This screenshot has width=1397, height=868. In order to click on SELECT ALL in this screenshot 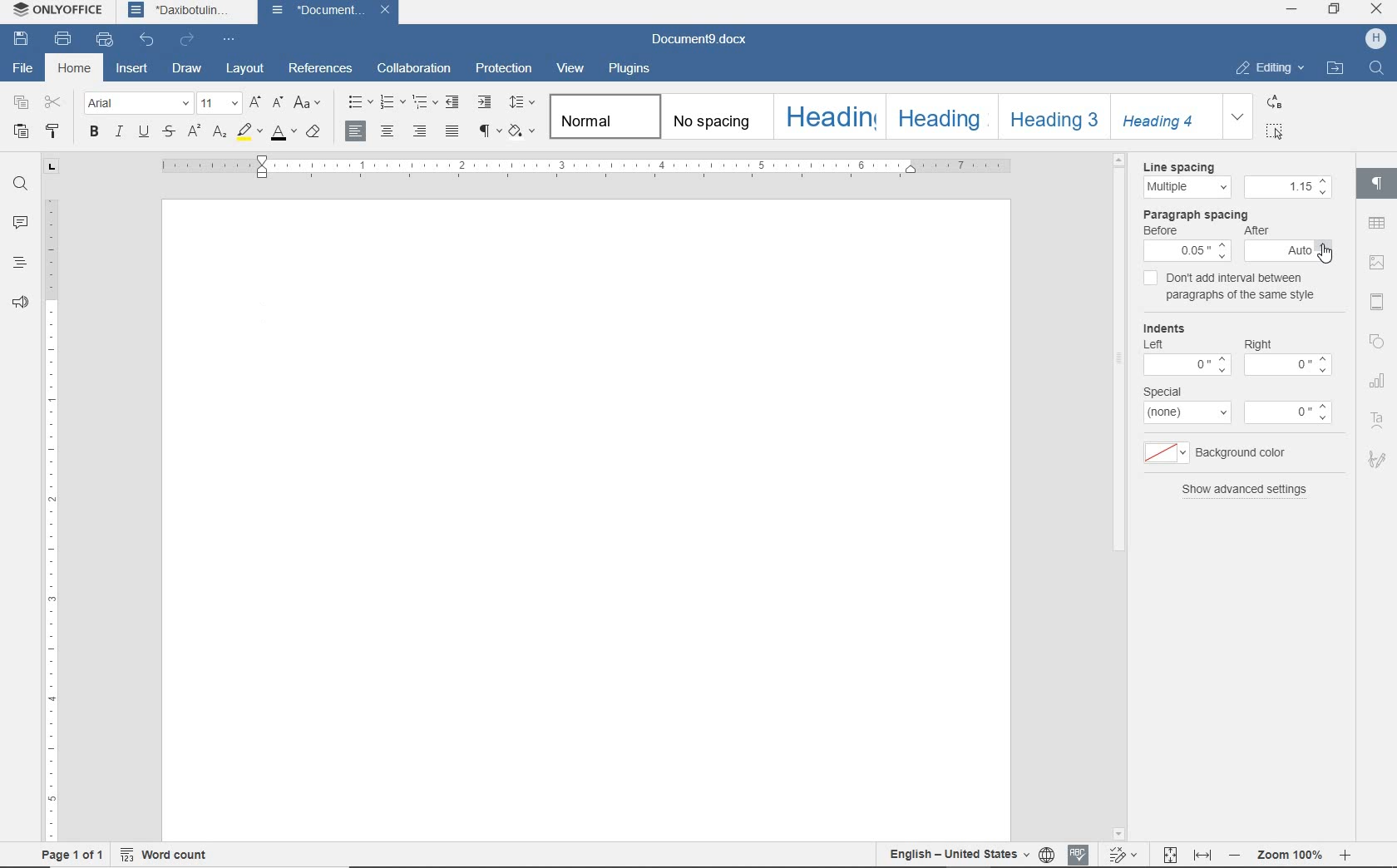, I will do `click(1276, 131)`.